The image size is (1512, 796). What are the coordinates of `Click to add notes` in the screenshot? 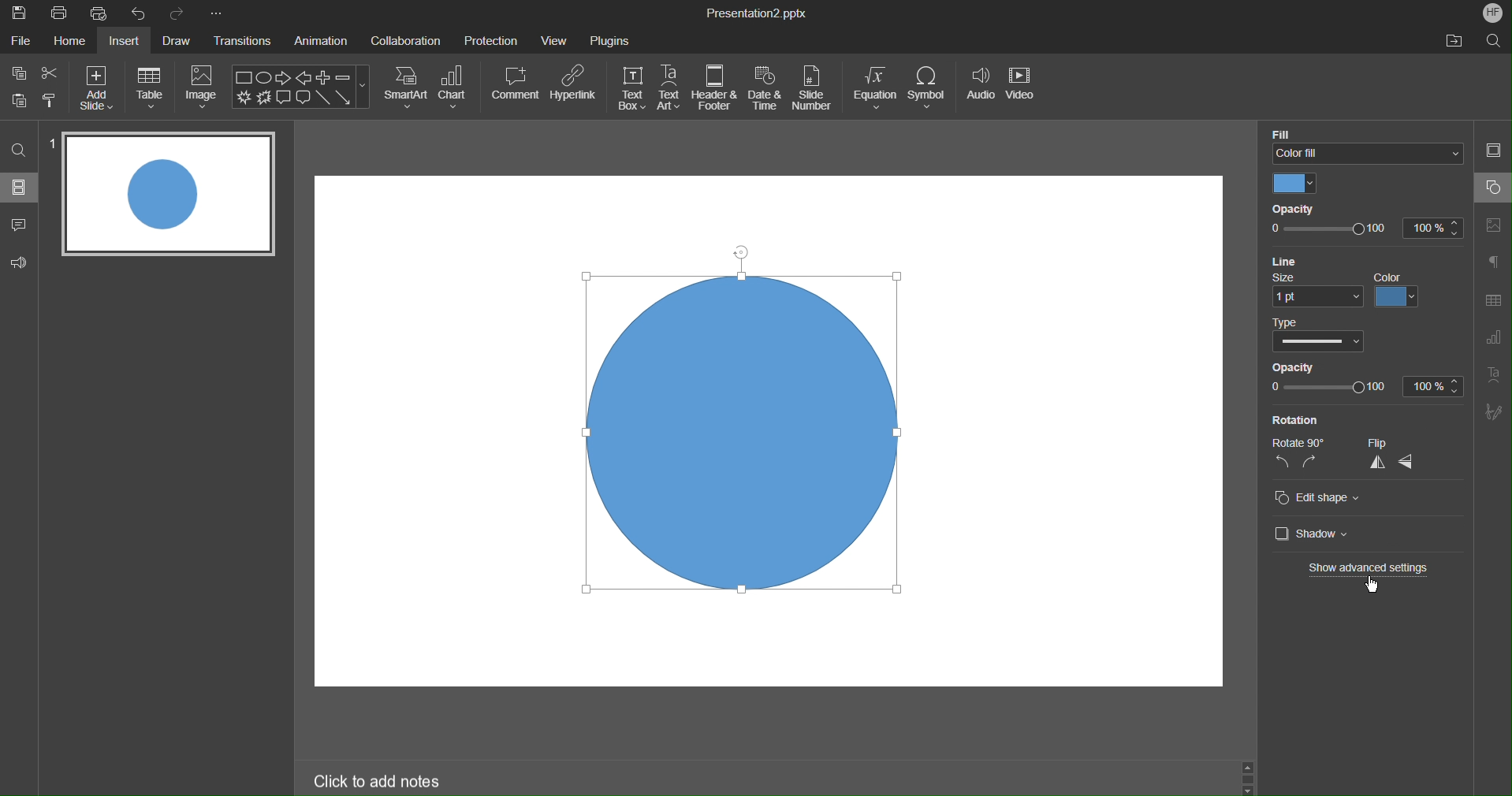 It's located at (382, 782).